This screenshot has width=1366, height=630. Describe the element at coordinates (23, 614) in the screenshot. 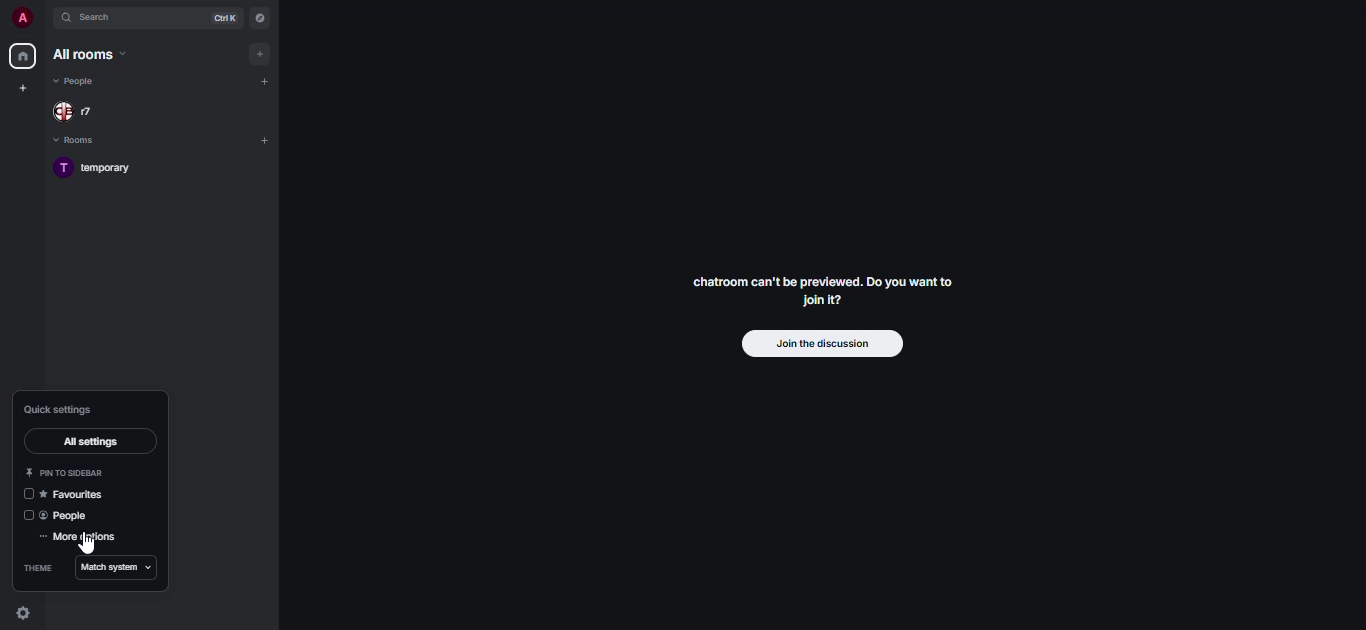

I see `quick settings` at that location.